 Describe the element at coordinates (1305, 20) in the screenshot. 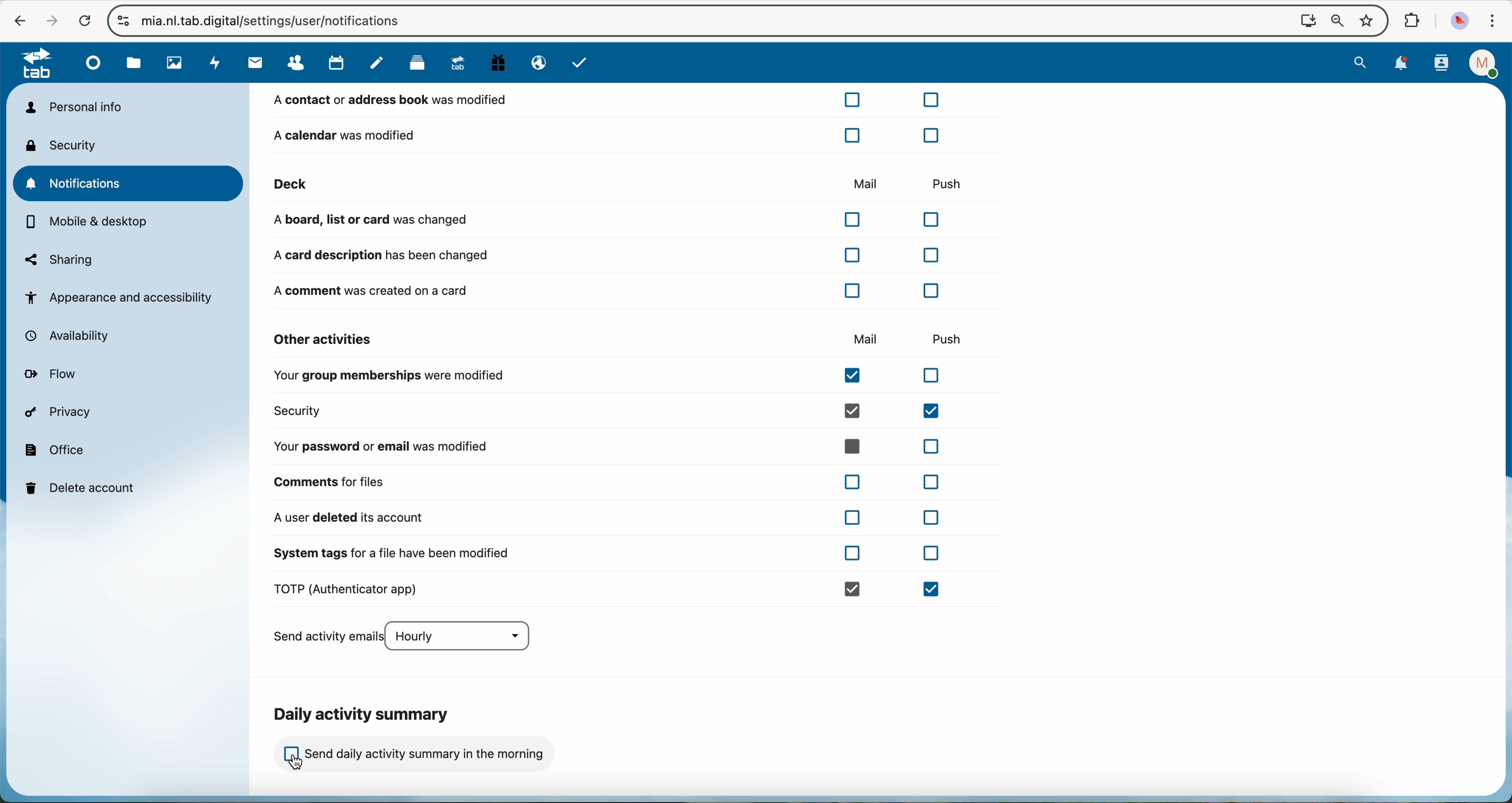

I see `Install NExtcloud` at that location.